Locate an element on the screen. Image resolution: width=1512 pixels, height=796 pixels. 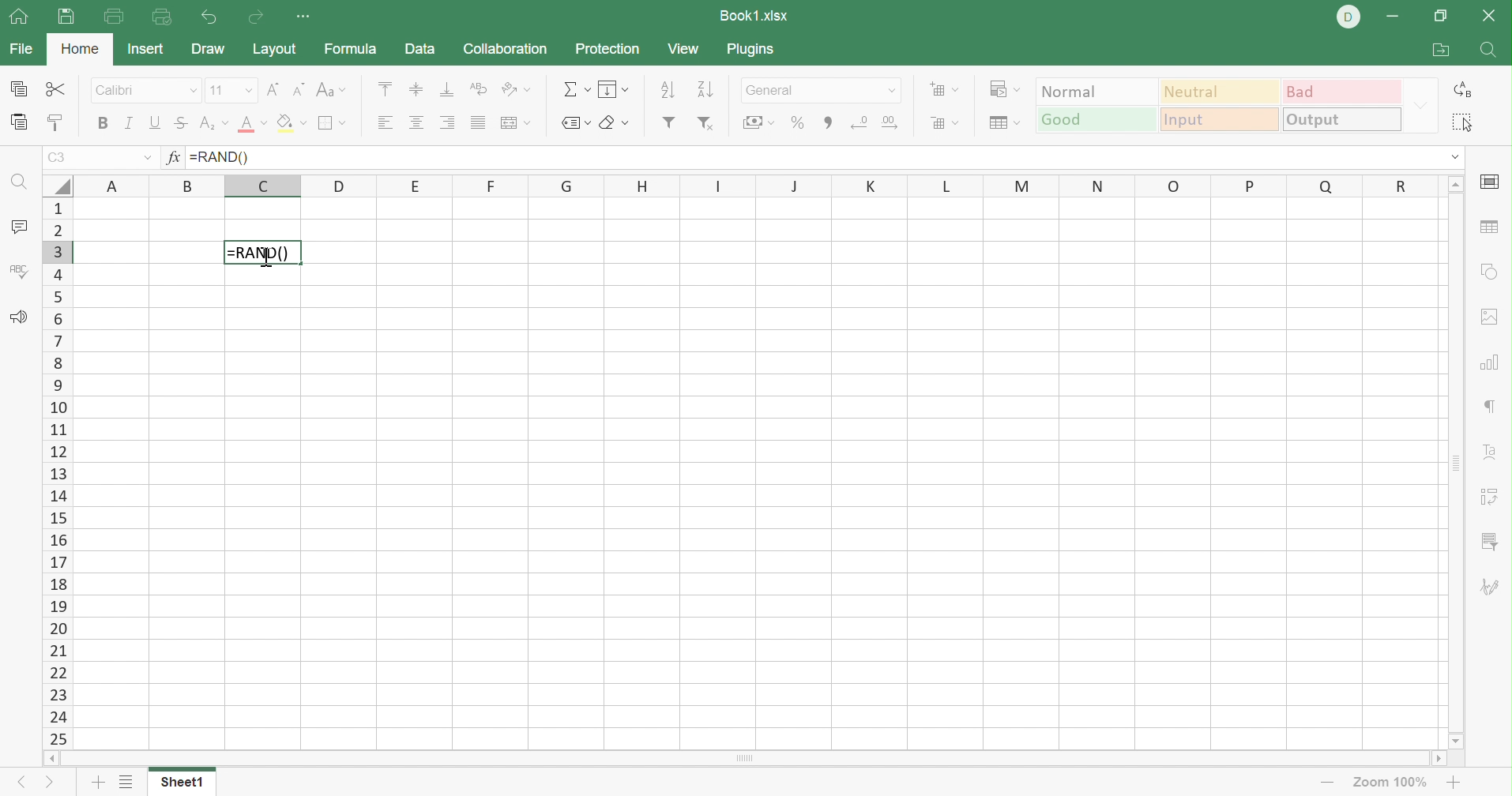
Zoom 100% is located at coordinates (1394, 782).